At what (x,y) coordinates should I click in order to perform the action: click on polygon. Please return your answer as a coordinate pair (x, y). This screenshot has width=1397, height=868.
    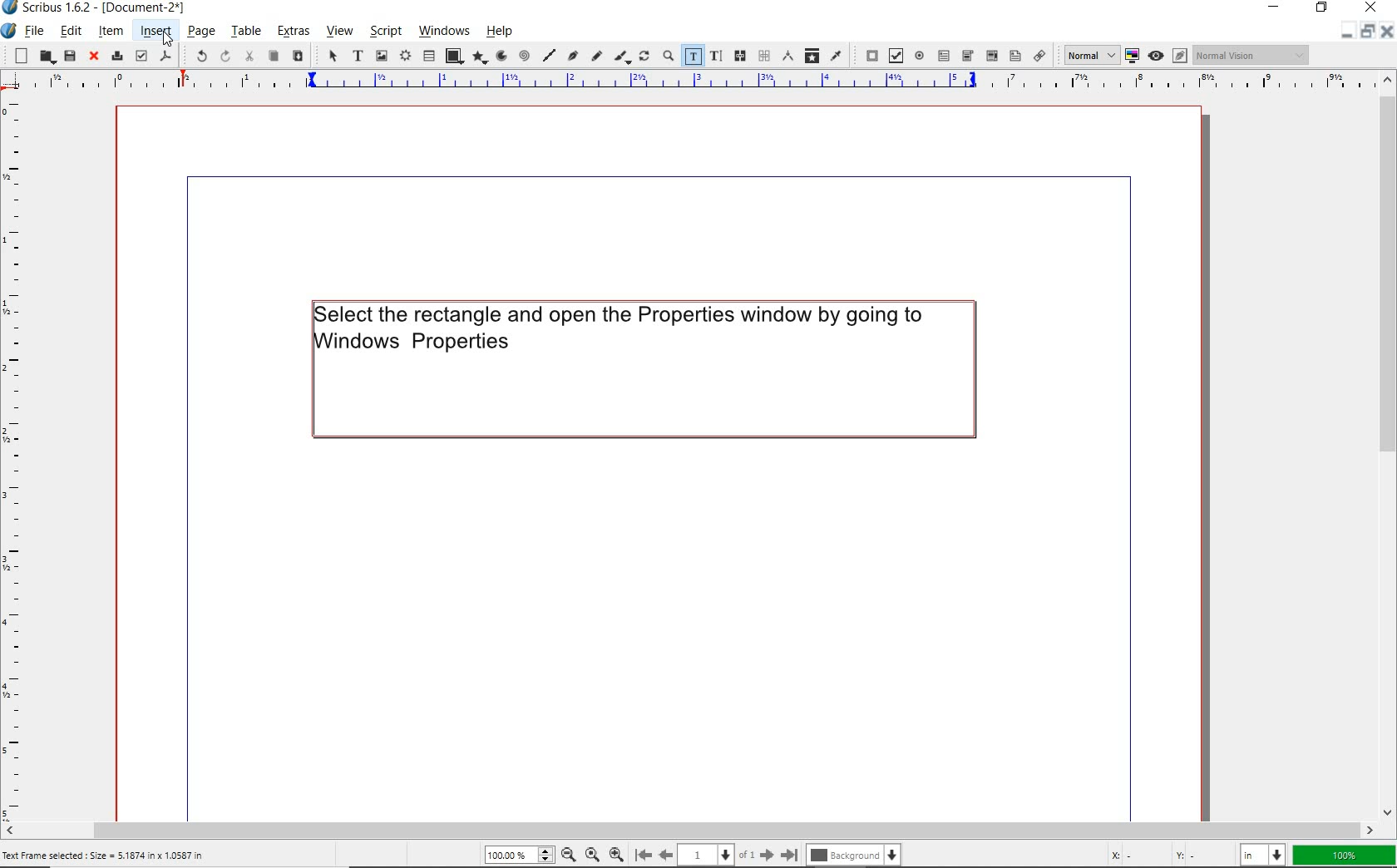
    Looking at the image, I should click on (480, 57).